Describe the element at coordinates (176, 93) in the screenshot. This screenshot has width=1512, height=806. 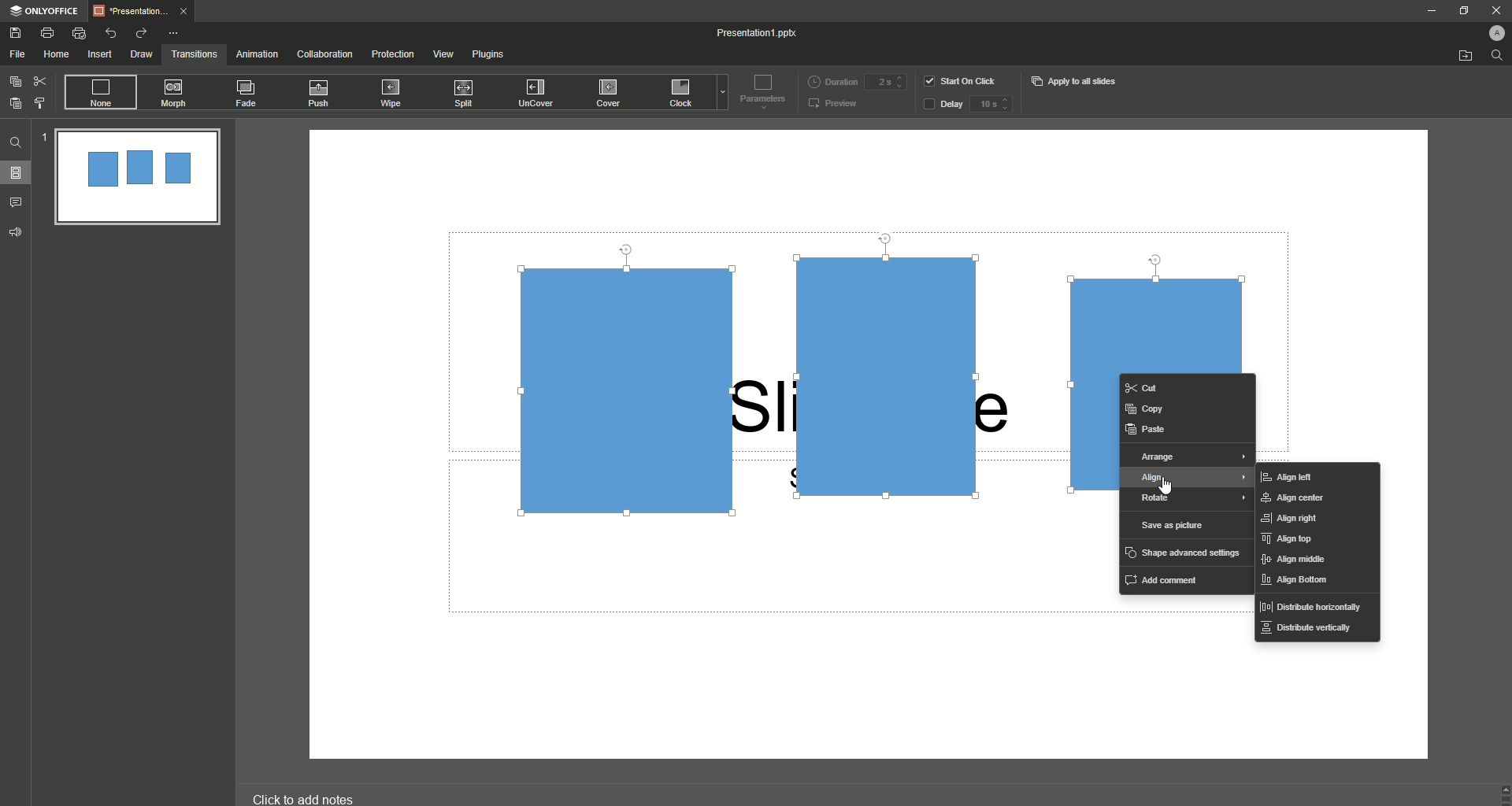
I see `Morph` at that location.